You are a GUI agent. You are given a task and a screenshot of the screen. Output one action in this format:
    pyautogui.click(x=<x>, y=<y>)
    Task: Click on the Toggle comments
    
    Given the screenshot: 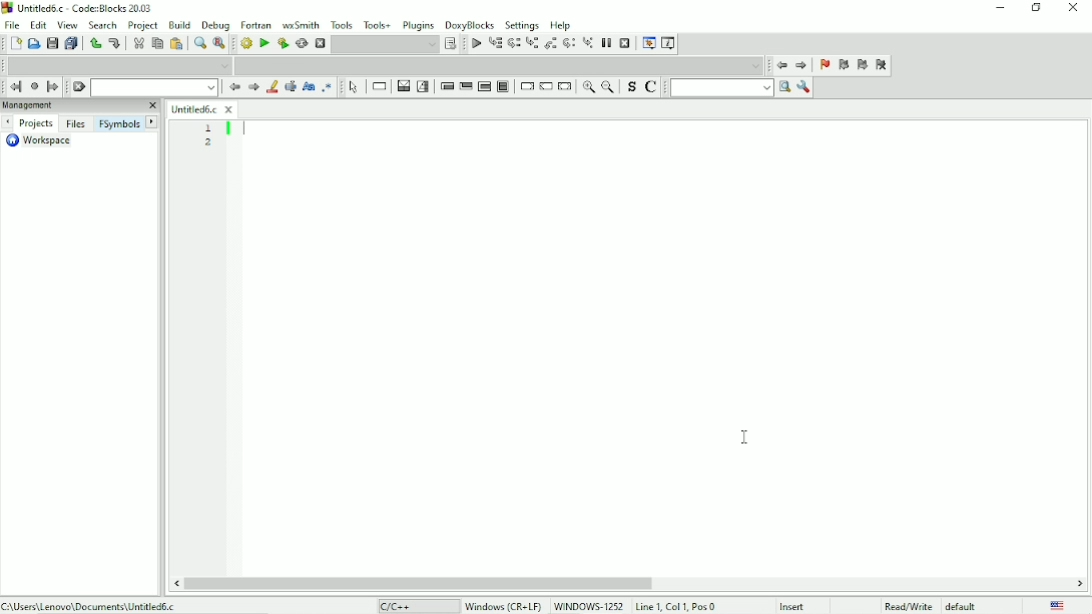 What is the action you would take?
    pyautogui.click(x=652, y=87)
    